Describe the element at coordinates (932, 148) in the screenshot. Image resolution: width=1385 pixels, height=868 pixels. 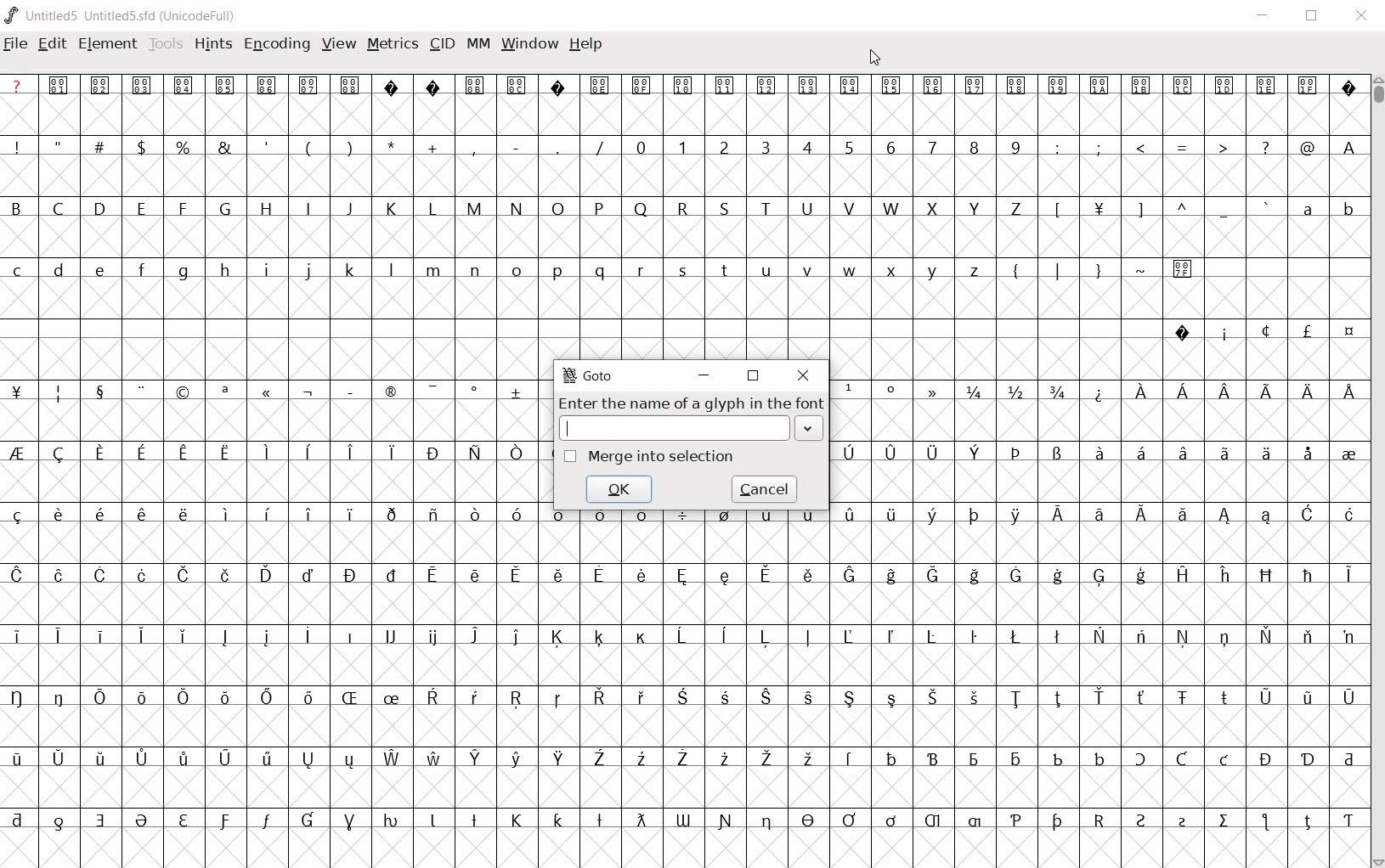
I see `7` at that location.